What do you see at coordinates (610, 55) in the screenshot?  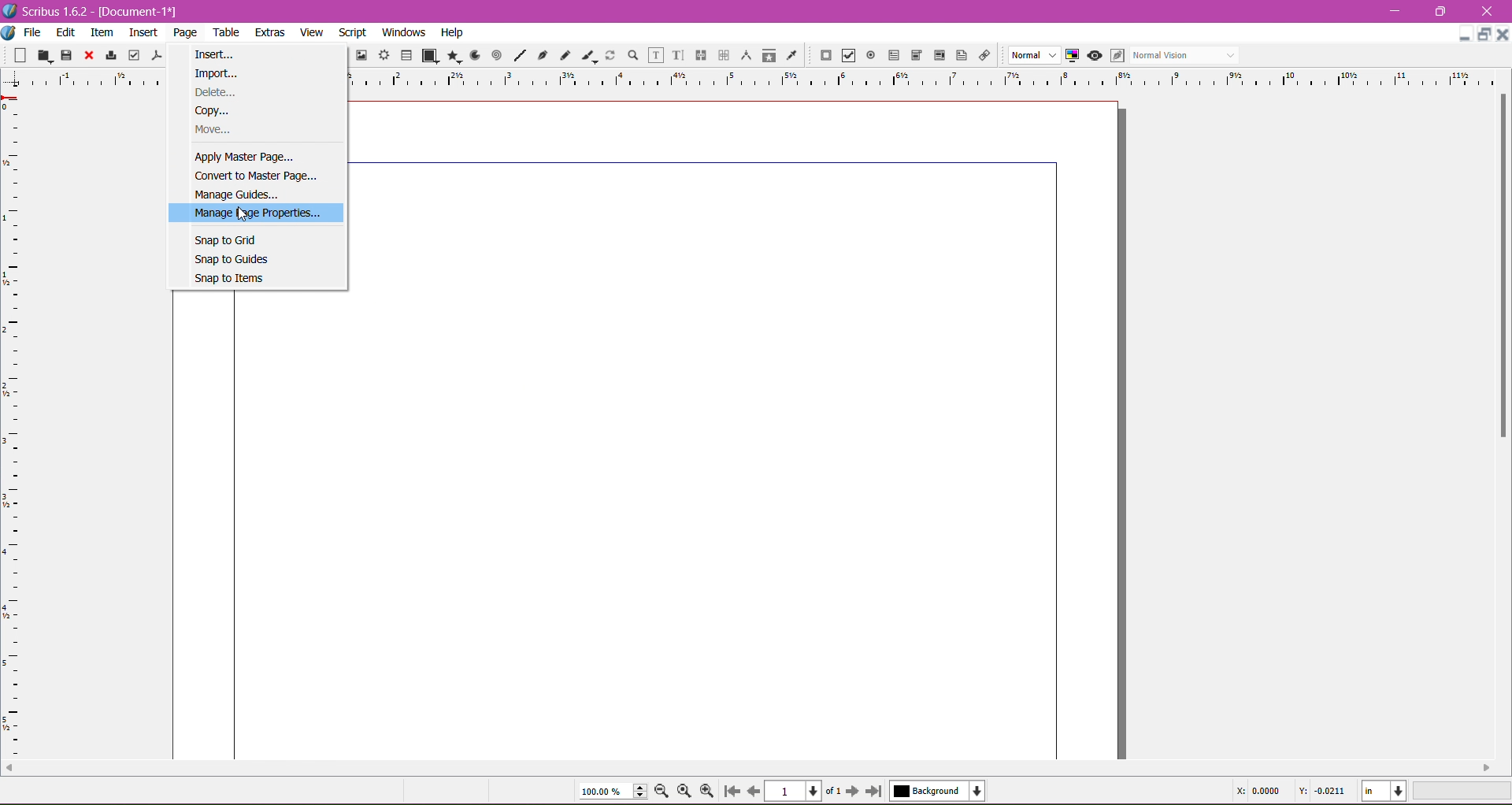 I see `Rotate Item` at bounding box center [610, 55].